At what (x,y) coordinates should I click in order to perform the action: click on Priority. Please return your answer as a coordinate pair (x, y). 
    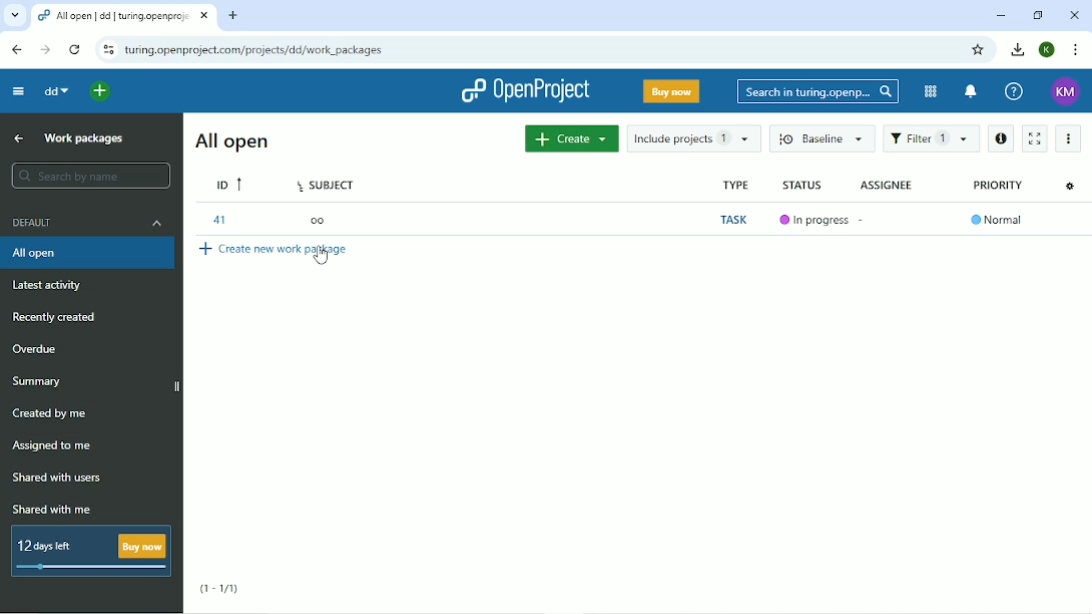
    Looking at the image, I should click on (999, 185).